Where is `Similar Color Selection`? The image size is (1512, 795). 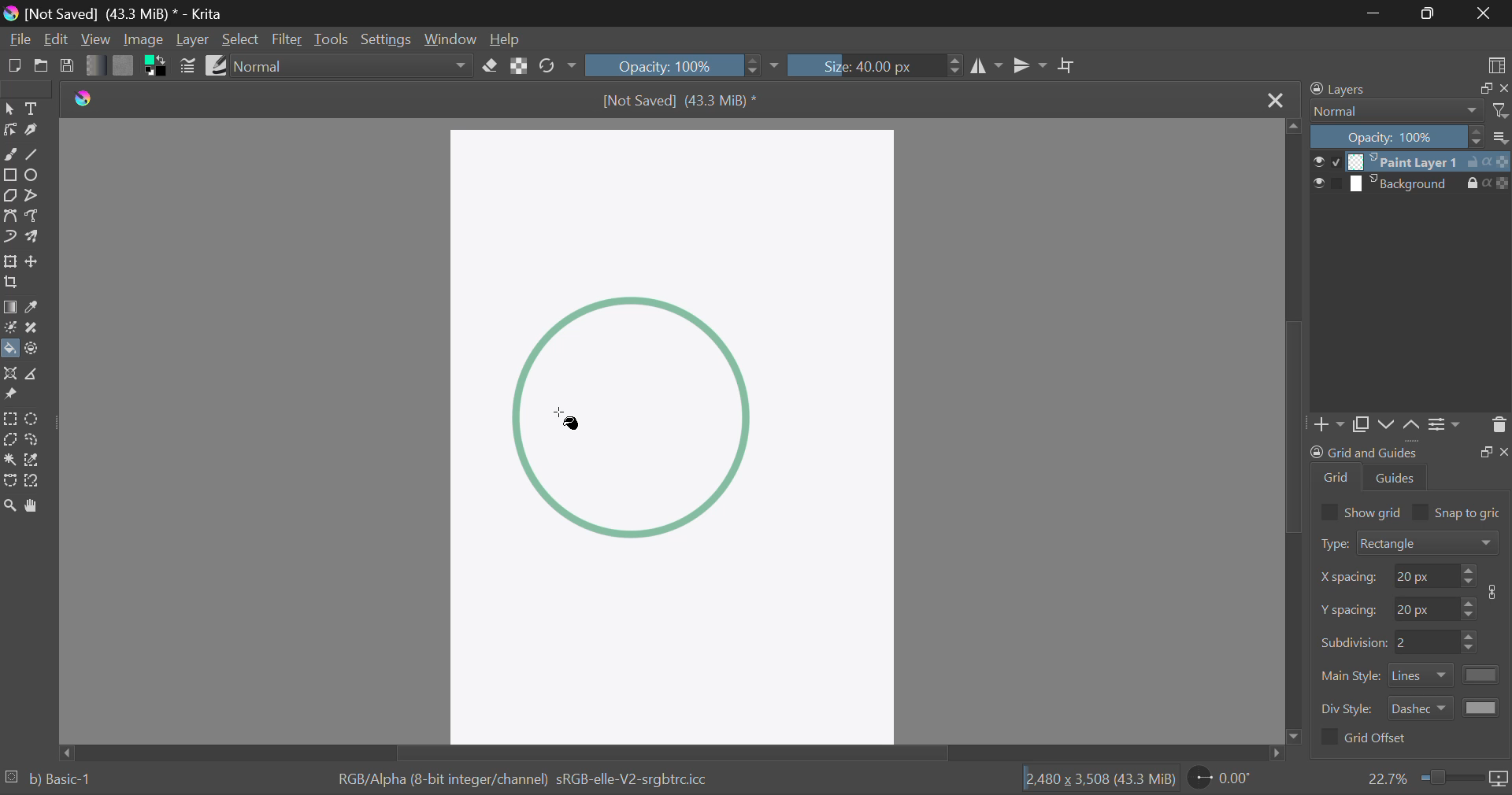 Similar Color Selection is located at coordinates (32, 461).